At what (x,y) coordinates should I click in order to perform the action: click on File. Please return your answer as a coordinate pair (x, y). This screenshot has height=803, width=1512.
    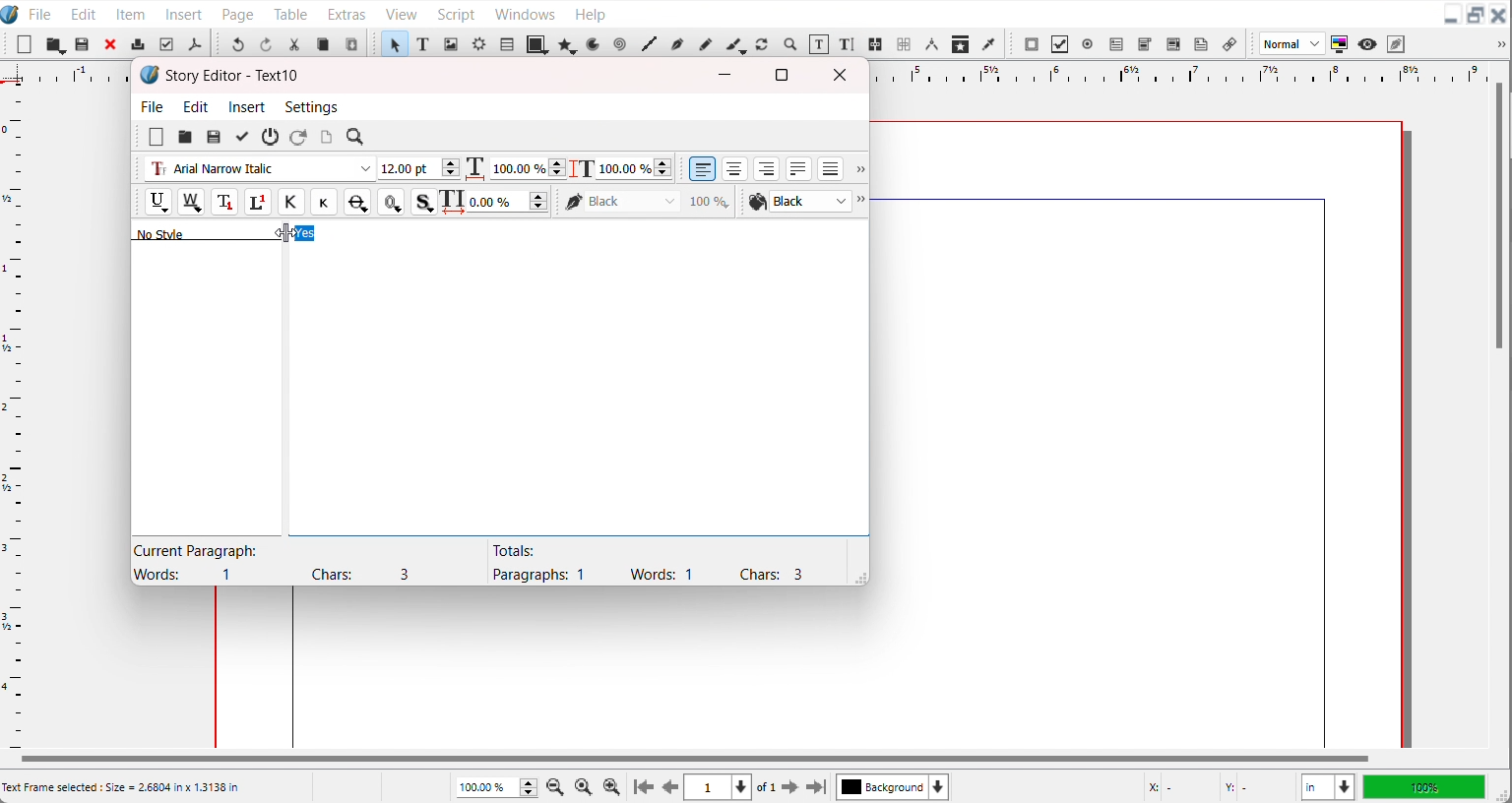
    Looking at the image, I should click on (40, 13).